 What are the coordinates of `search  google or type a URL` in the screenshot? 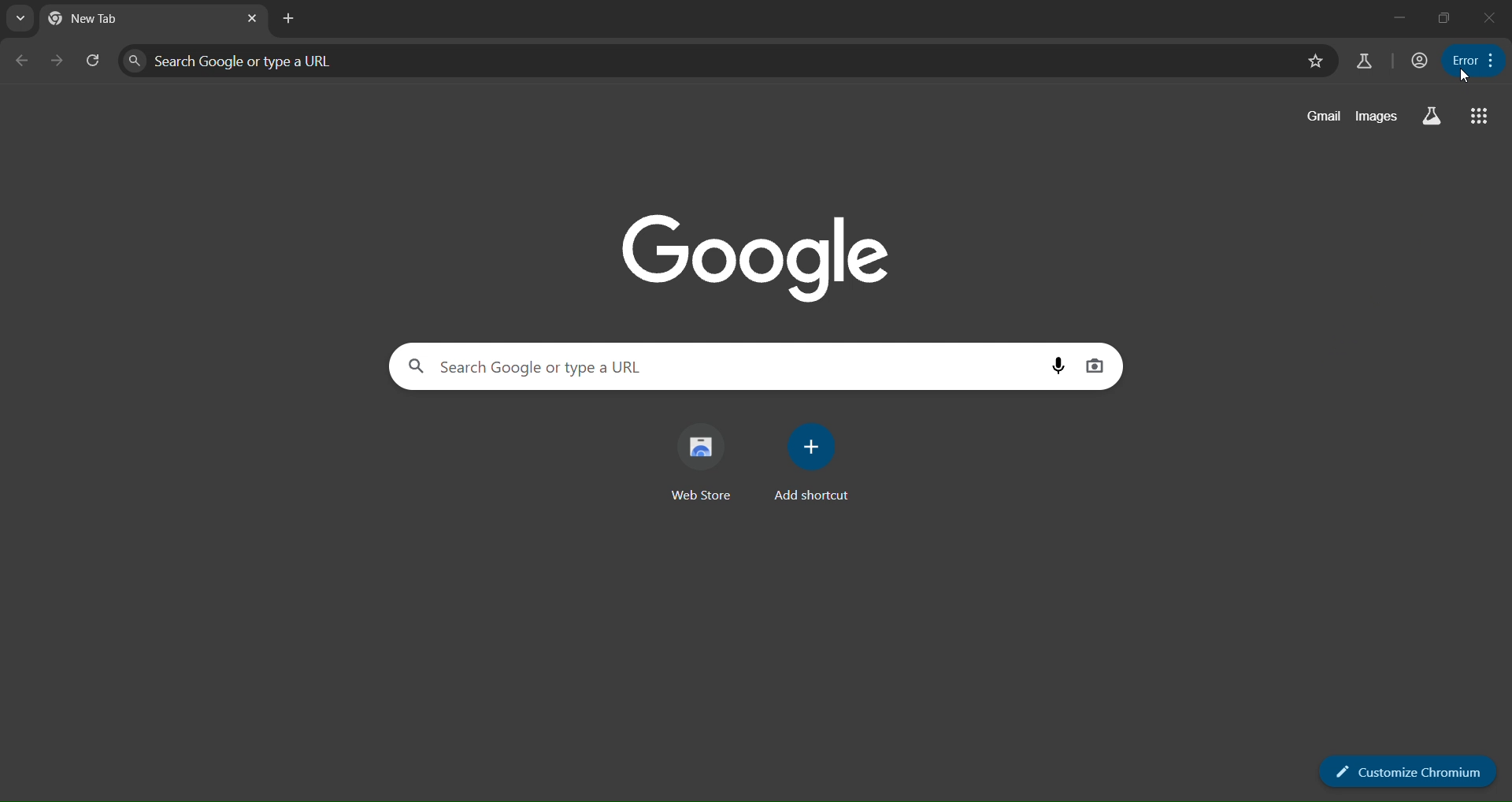 It's located at (706, 60).